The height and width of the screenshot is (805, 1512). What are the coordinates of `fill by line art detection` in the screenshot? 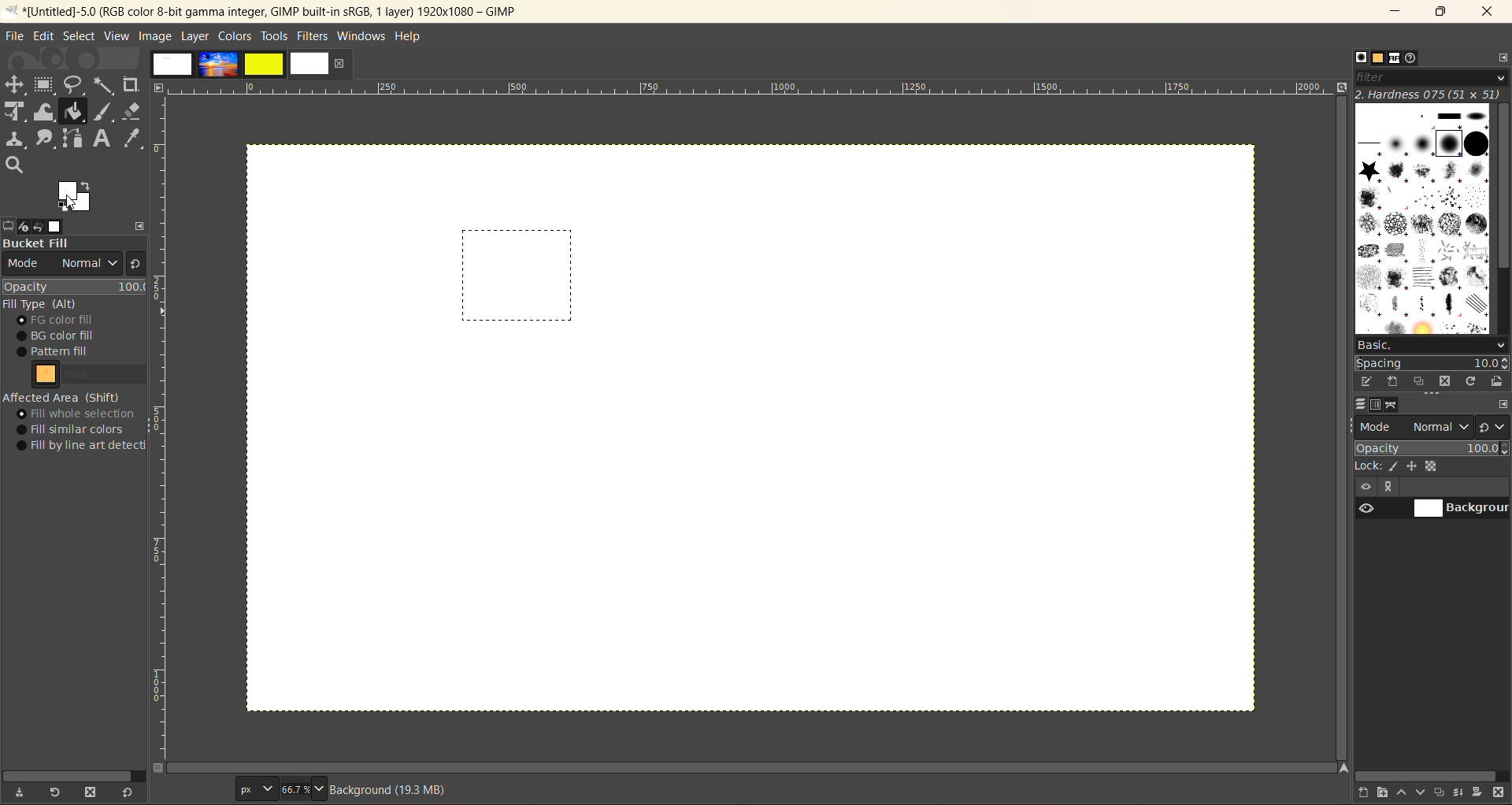 It's located at (85, 447).